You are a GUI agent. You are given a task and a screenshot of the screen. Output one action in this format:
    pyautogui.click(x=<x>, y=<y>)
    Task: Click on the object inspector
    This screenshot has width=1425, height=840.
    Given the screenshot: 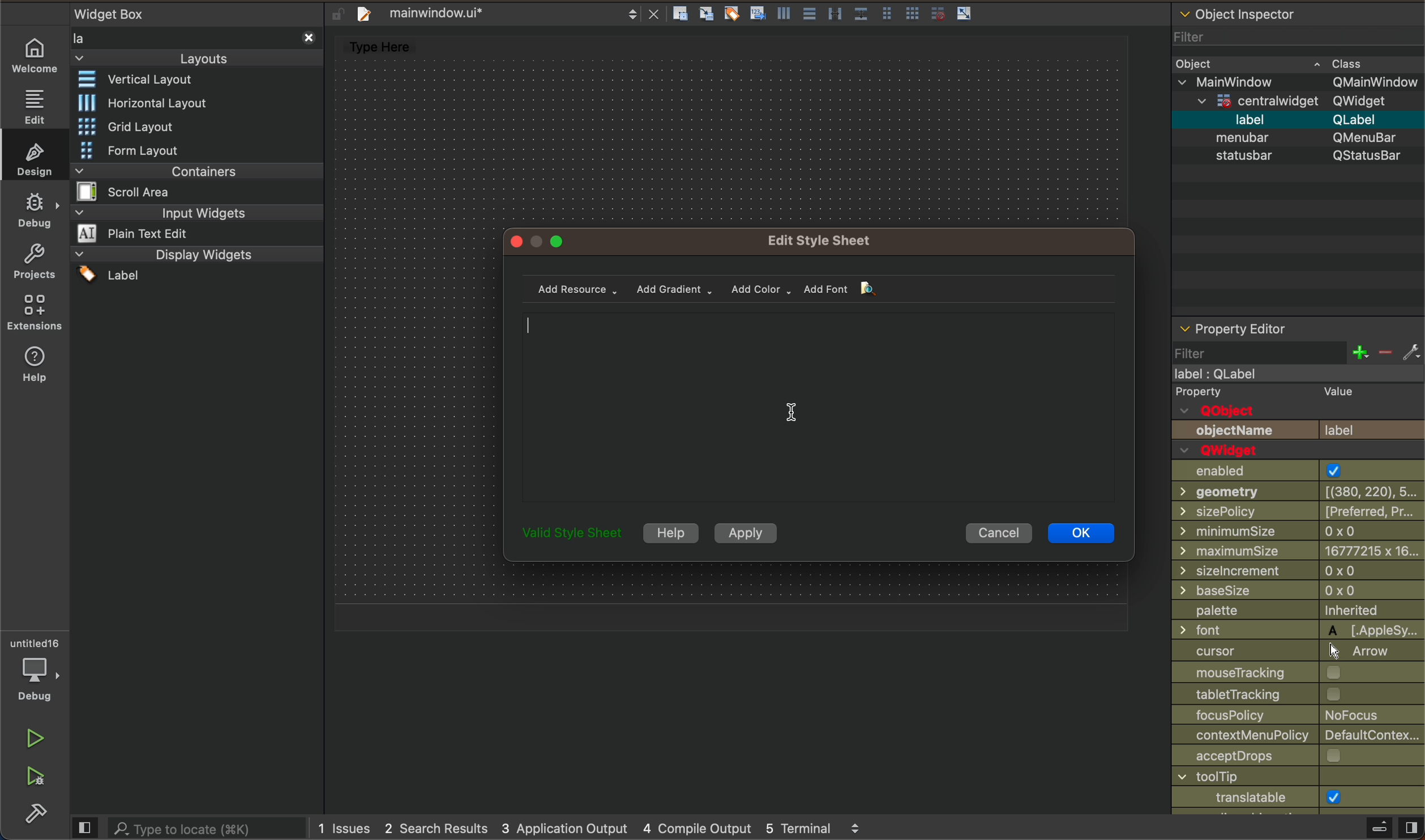 What is the action you would take?
    pyautogui.click(x=1295, y=12)
    